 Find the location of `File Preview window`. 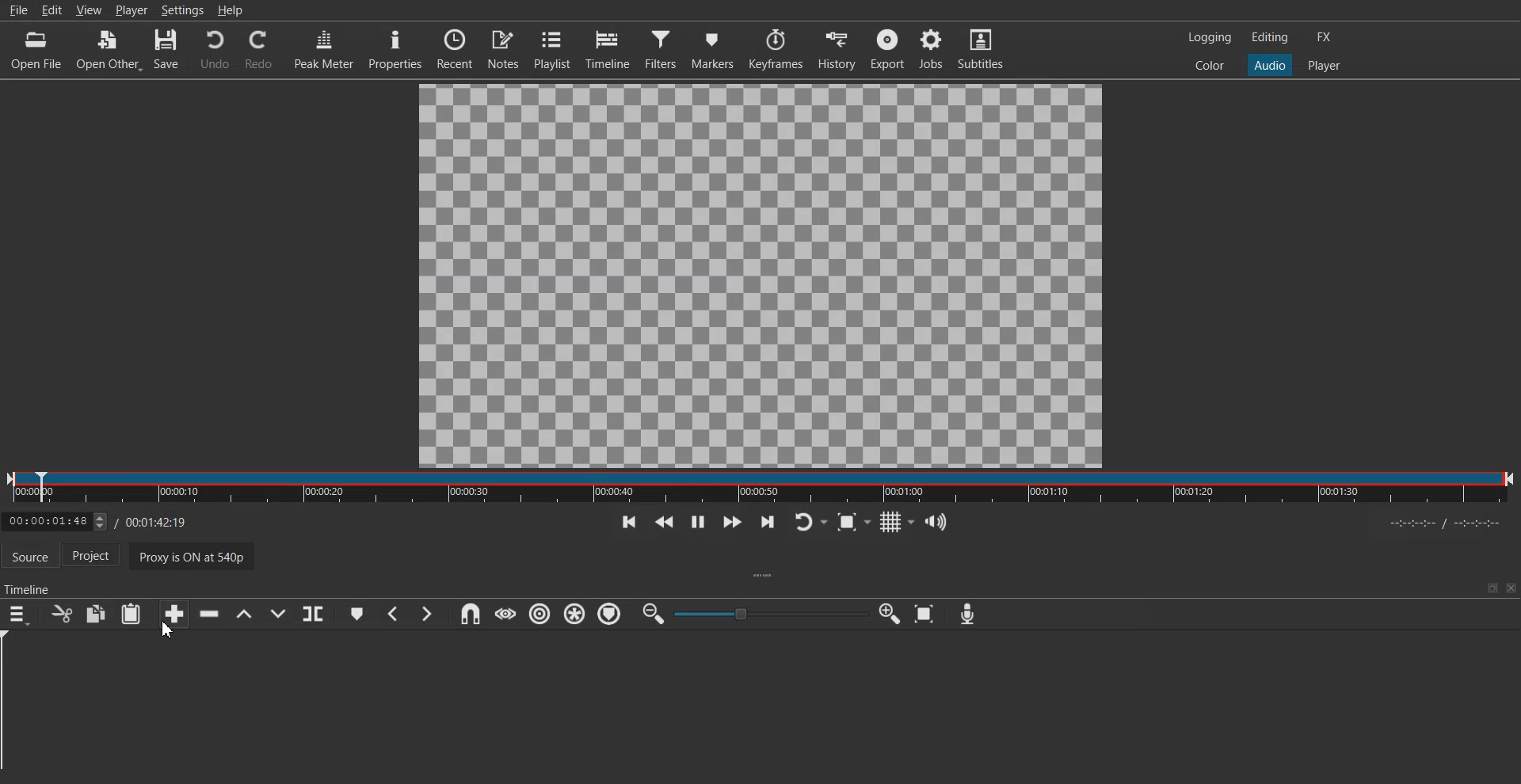

File Preview window is located at coordinates (760, 276).